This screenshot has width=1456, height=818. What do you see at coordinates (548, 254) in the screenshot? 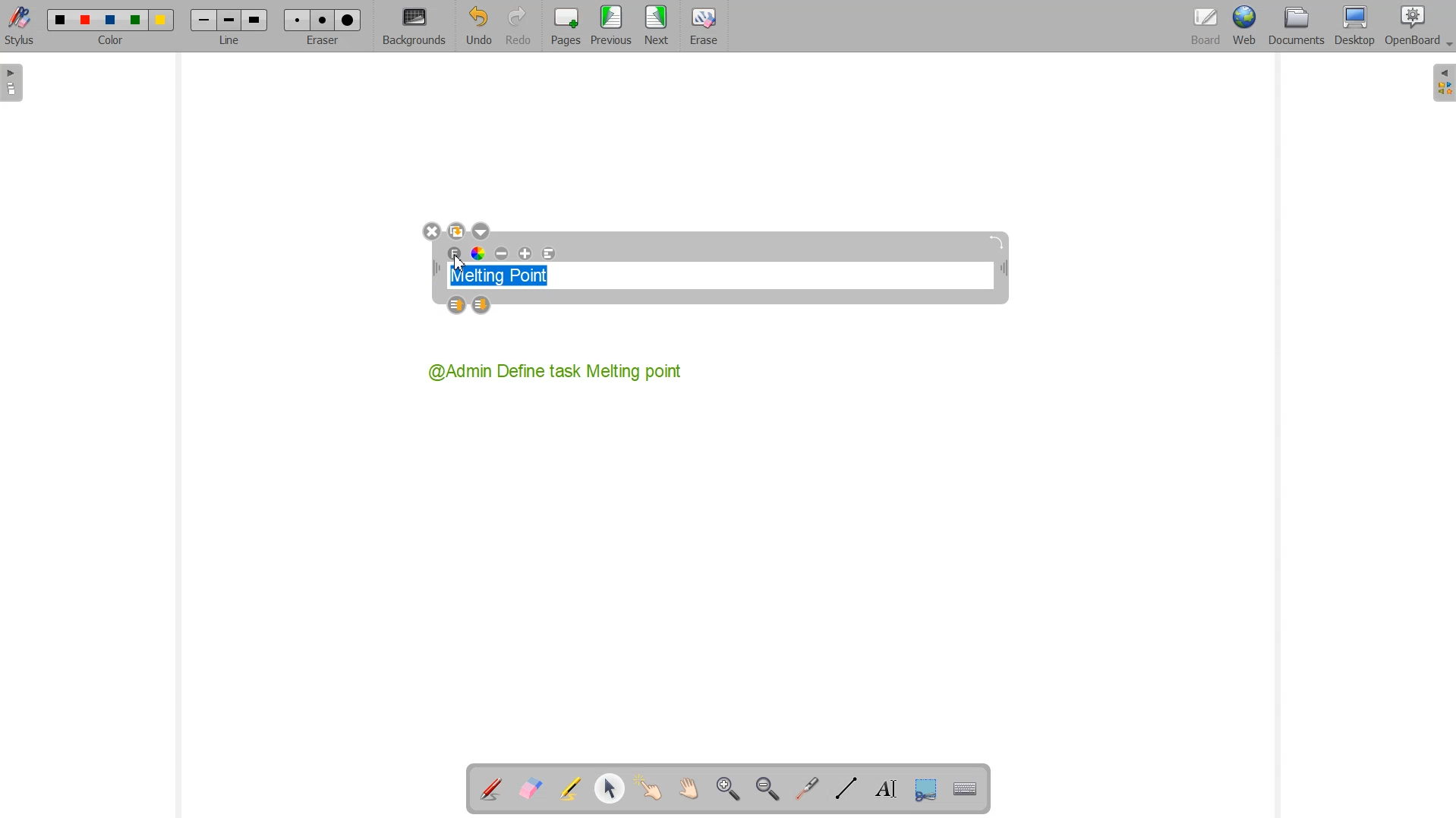
I see `Text Alignment` at bounding box center [548, 254].